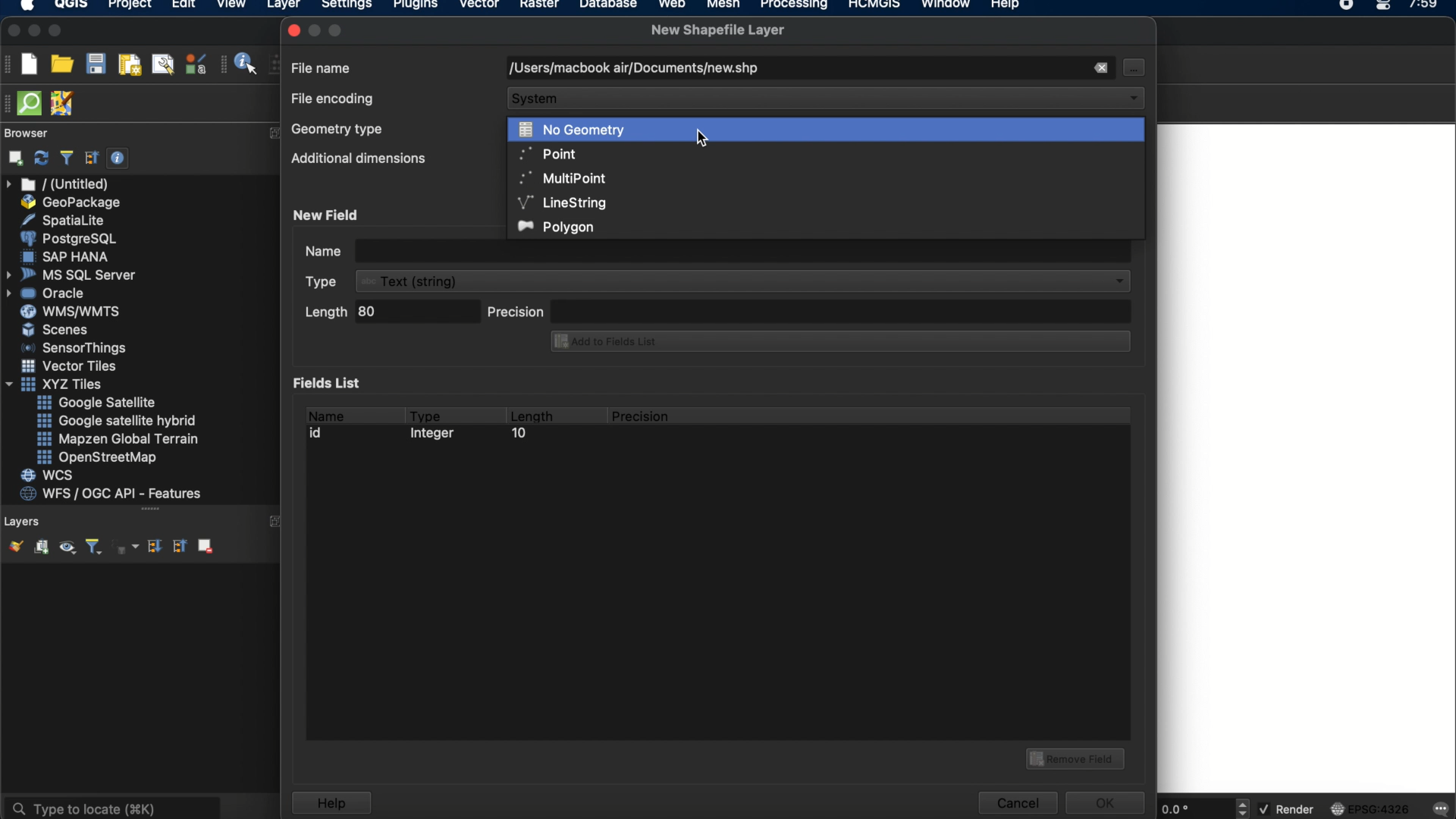 Image resolution: width=1456 pixels, height=819 pixels. I want to click on untitled, so click(59, 184).